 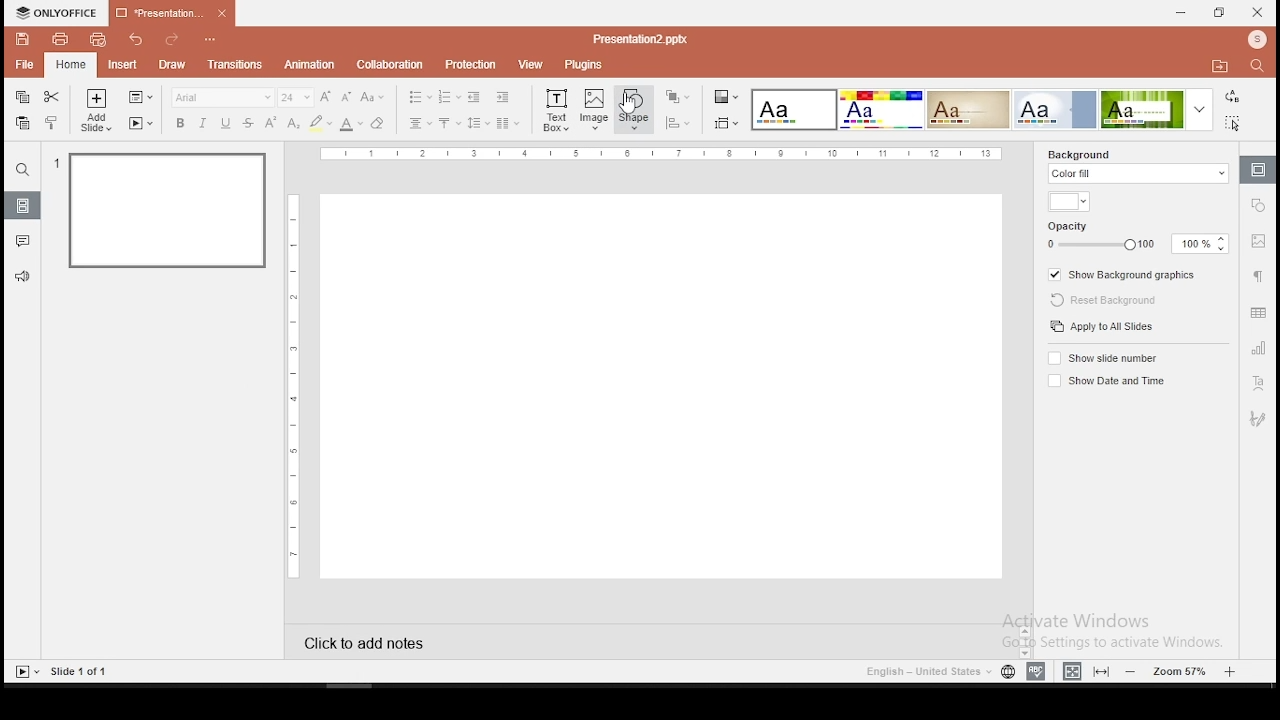 I want to click on select all, so click(x=1236, y=122).